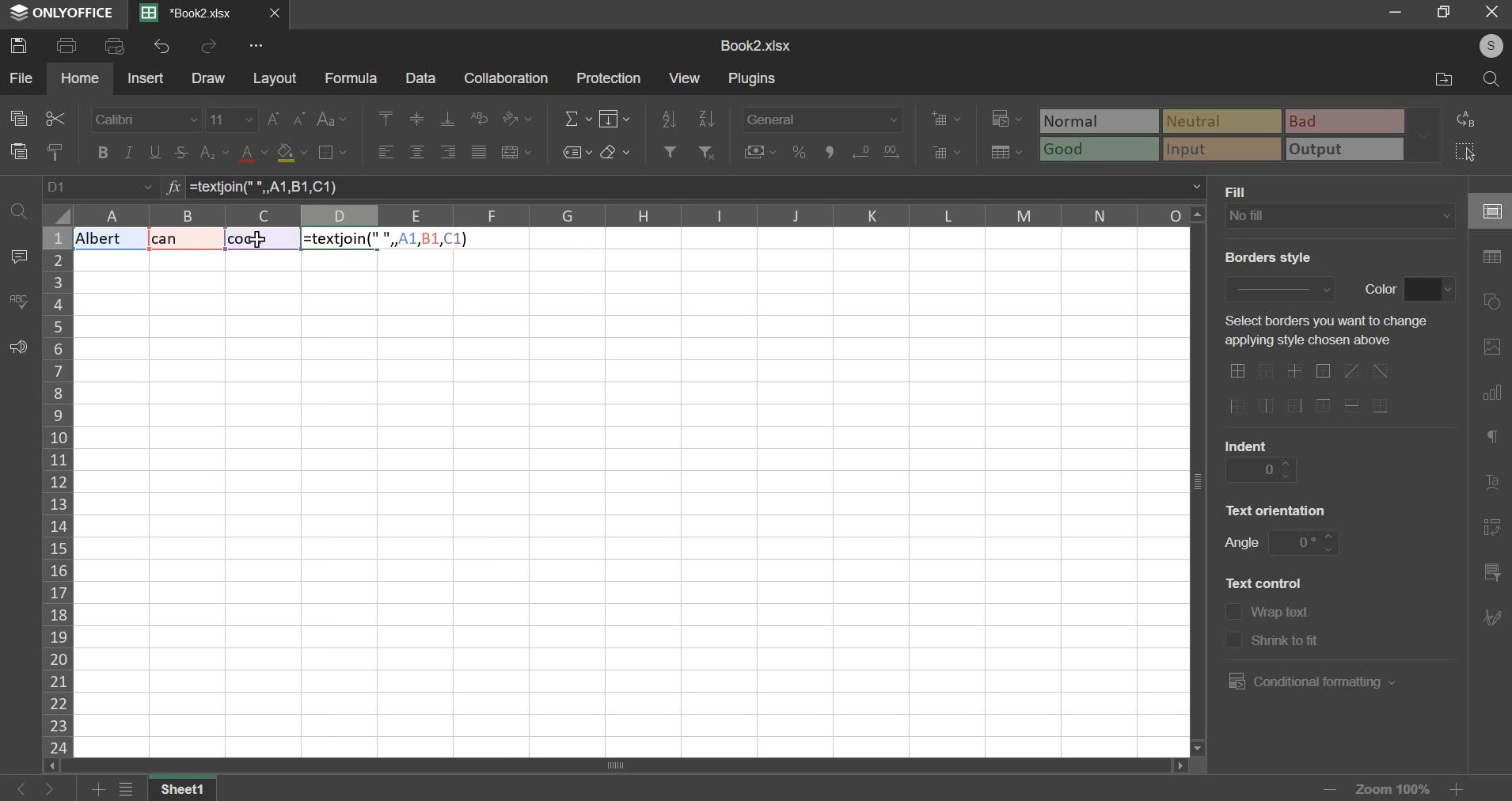  I want to click on align middle, so click(419, 119).